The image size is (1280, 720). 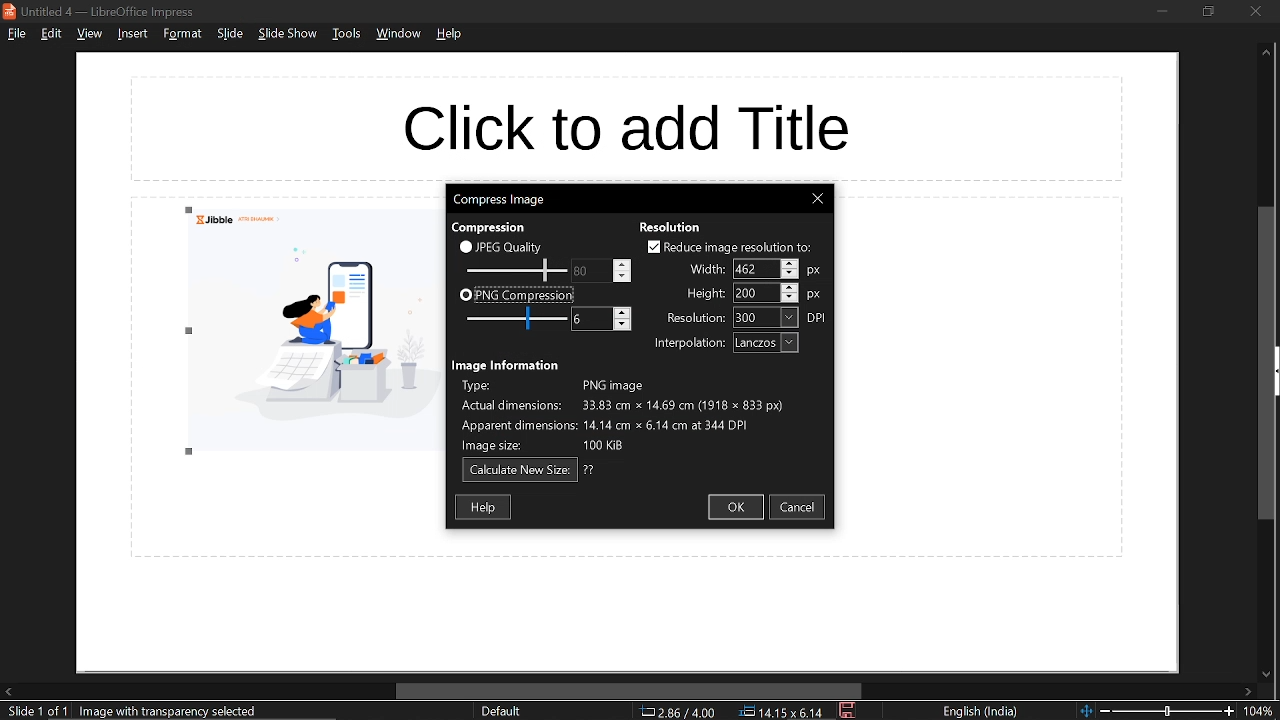 What do you see at coordinates (230, 34) in the screenshot?
I see `slide` at bounding box center [230, 34].